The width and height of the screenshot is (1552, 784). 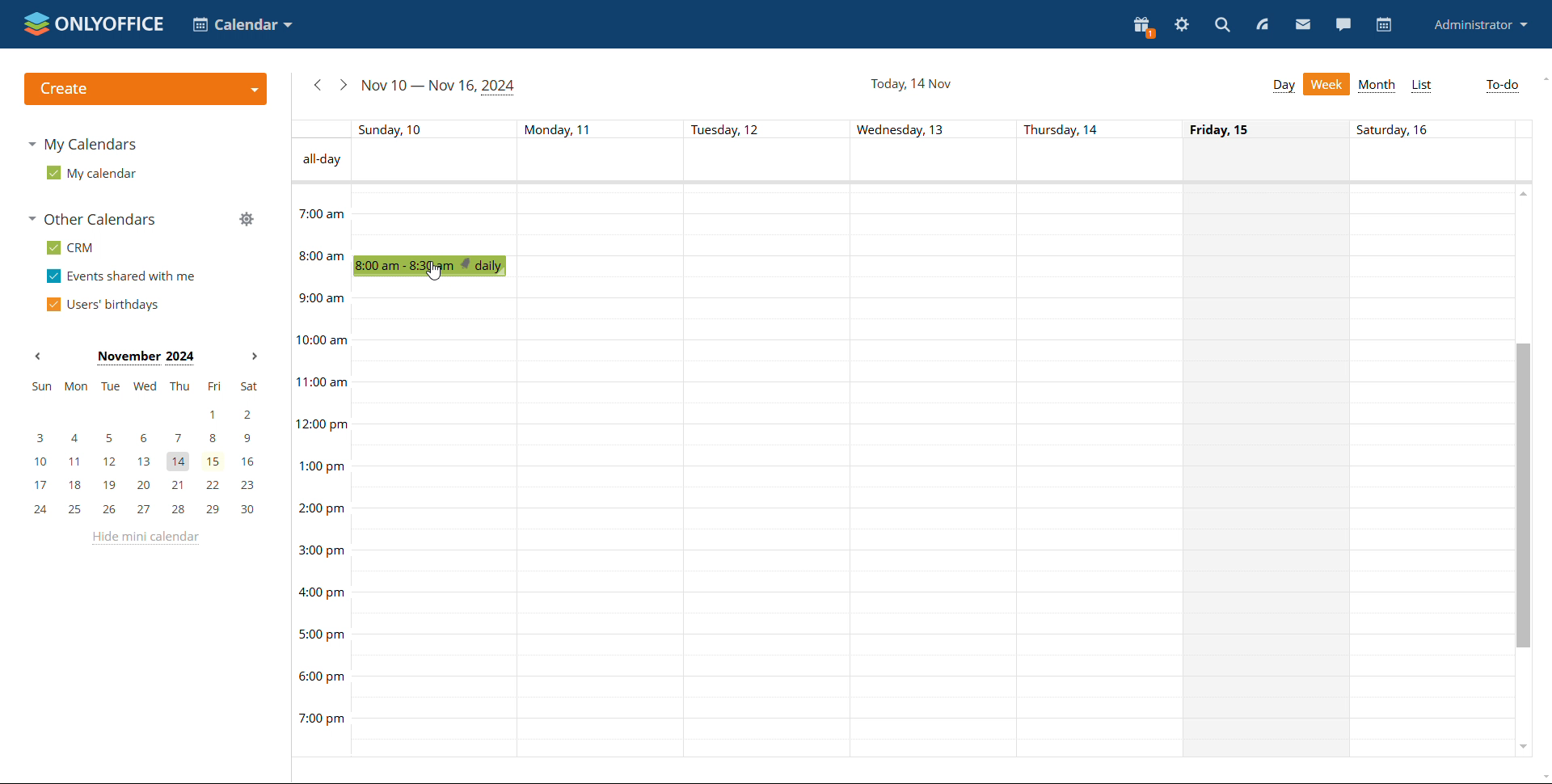 What do you see at coordinates (70, 247) in the screenshot?
I see `crm` at bounding box center [70, 247].